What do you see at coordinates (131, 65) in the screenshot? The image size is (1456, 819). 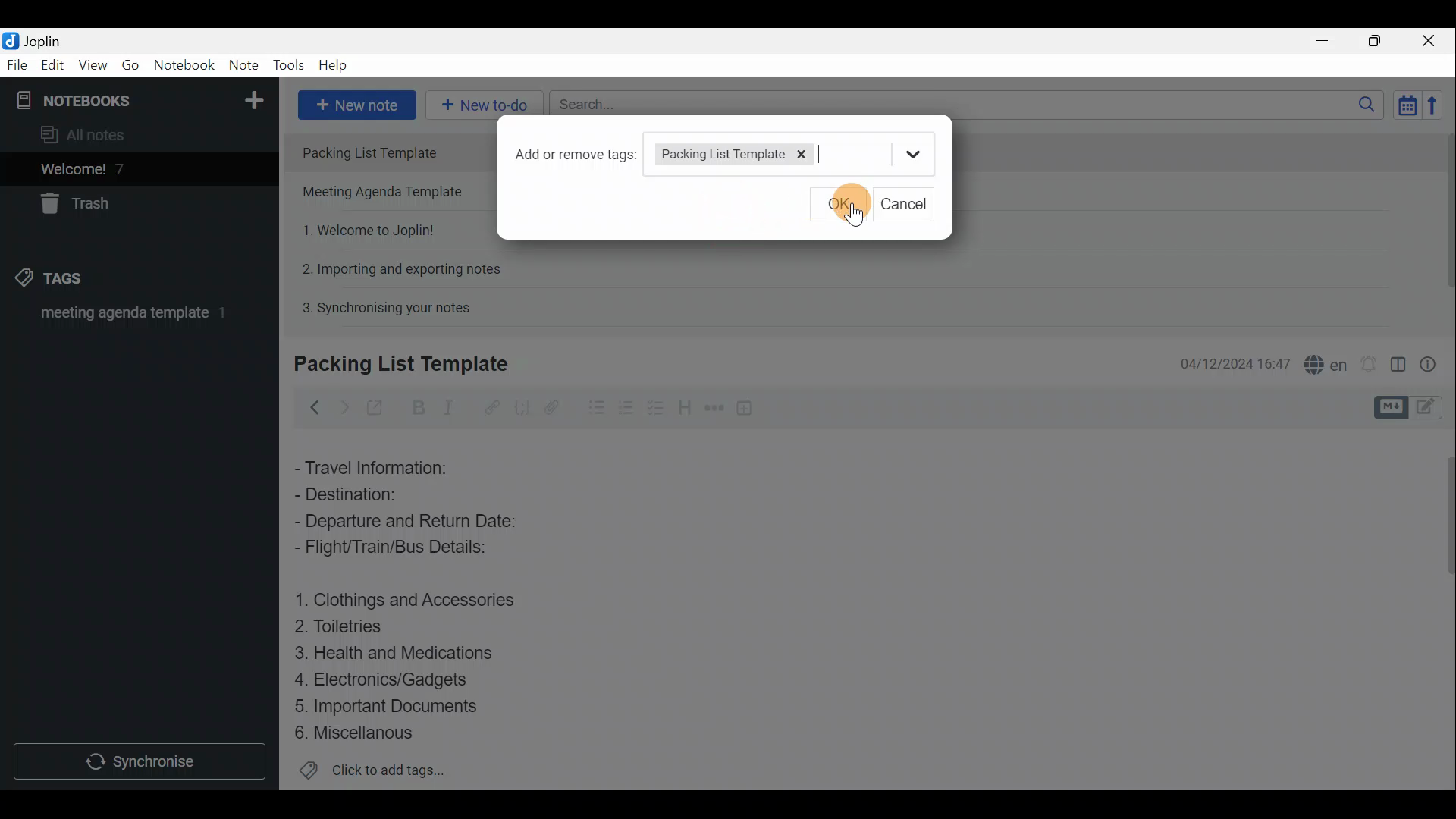 I see `Go` at bounding box center [131, 65].